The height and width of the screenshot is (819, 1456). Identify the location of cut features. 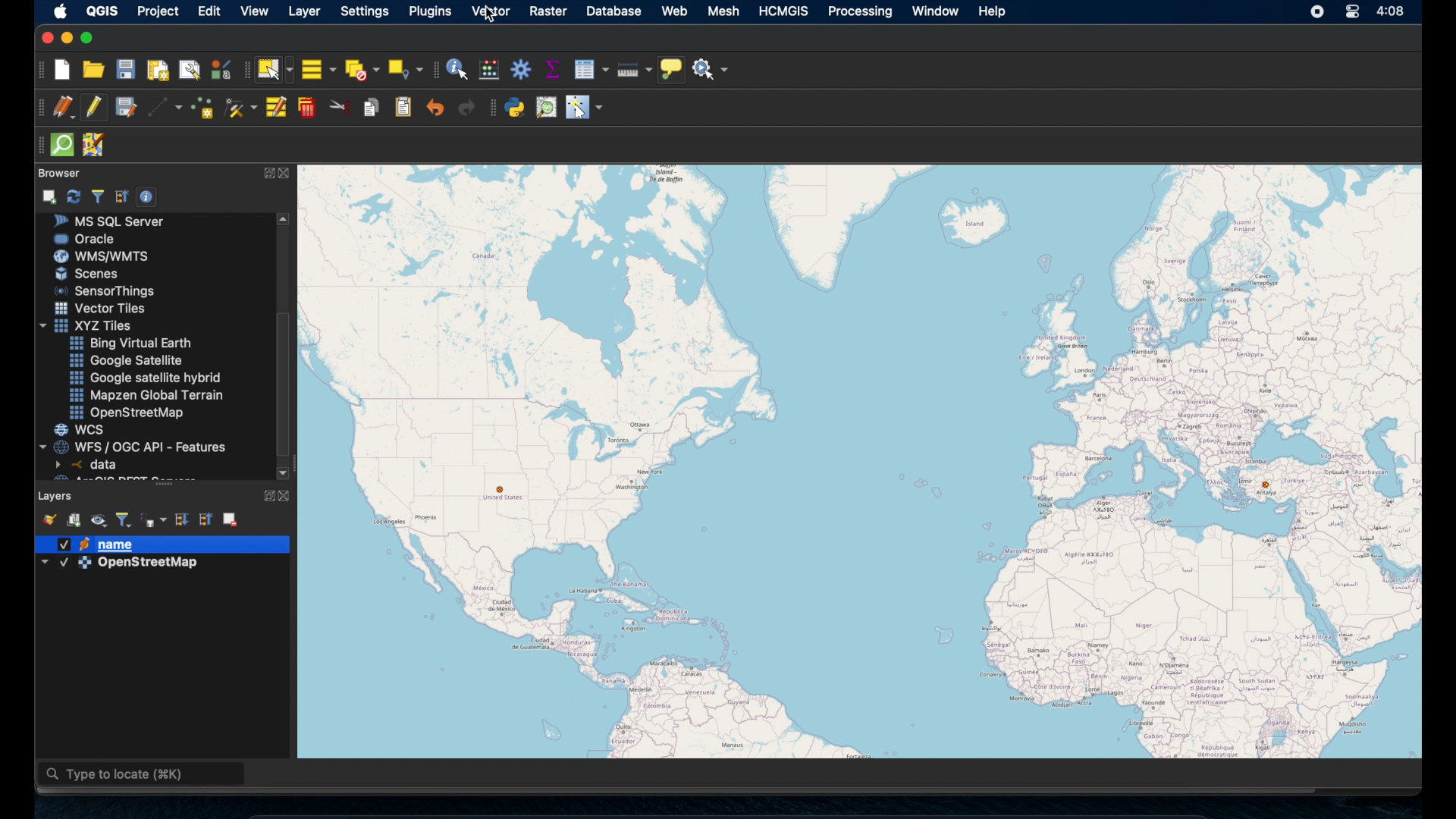
(340, 107).